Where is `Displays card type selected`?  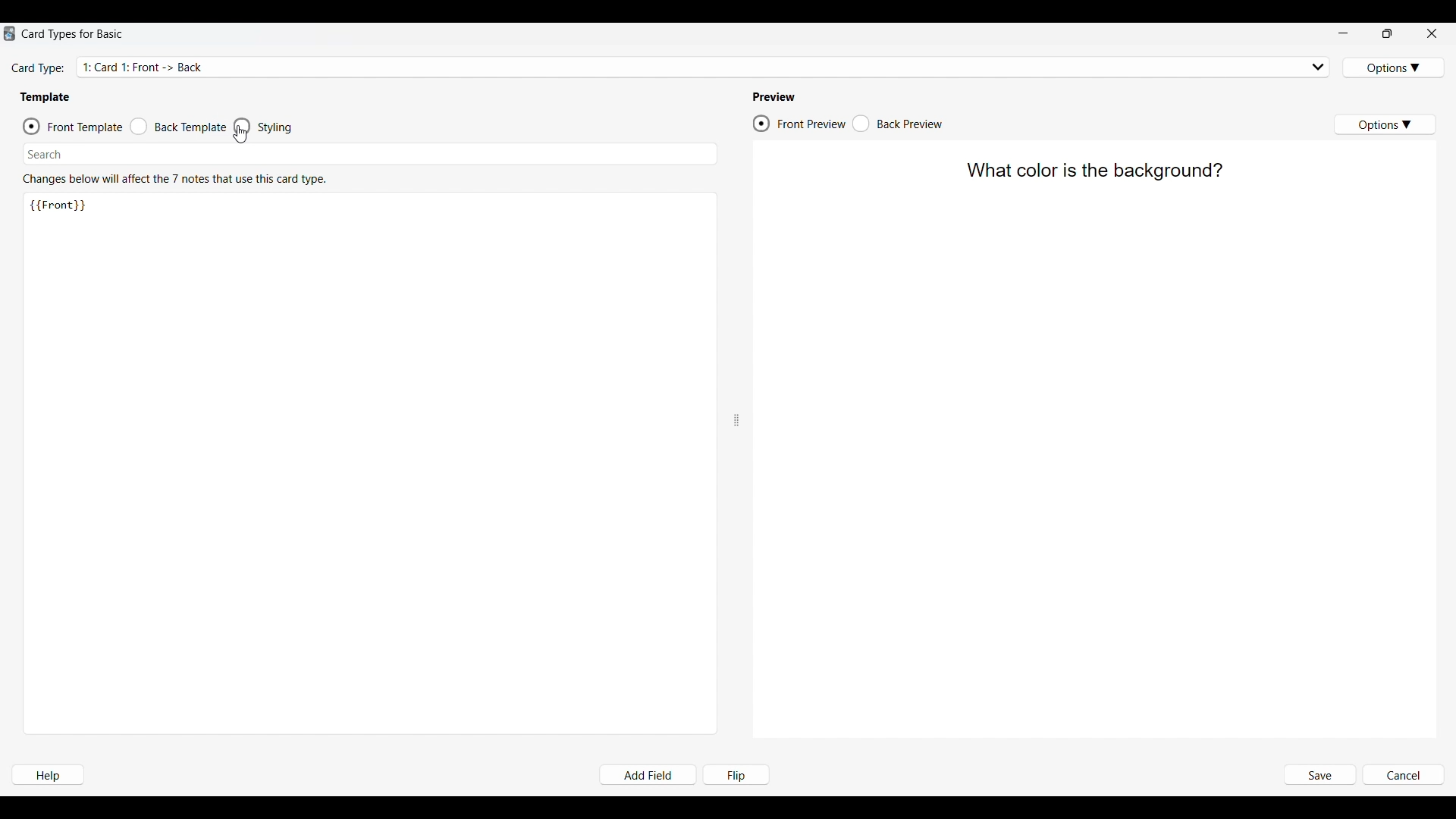
Displays card type selected is located at coordinates (705, 66).